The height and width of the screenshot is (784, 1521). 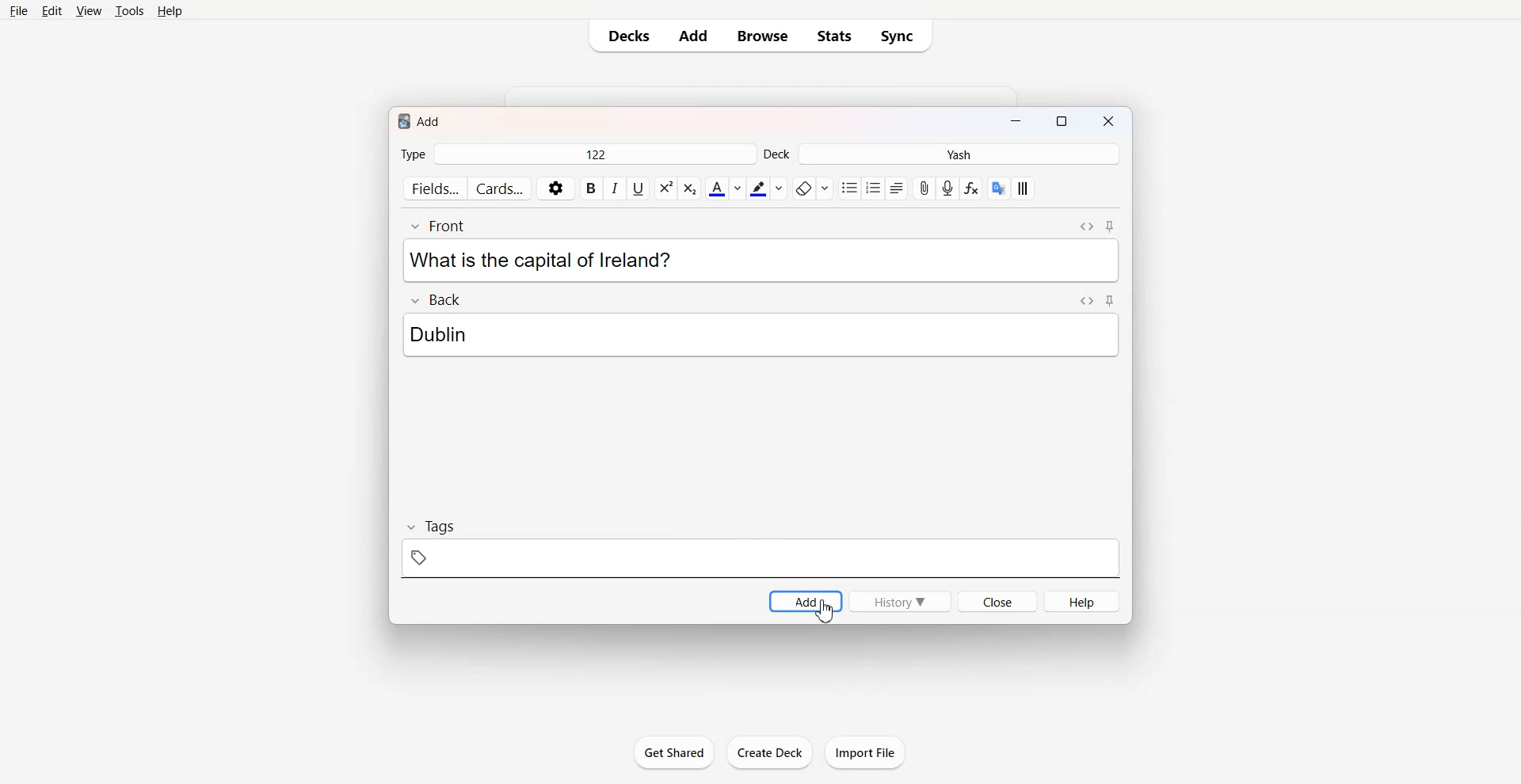 What do you see at coordinates (805, 600) in the screenshot?
I see `Add` at bounding box center [805, 600].